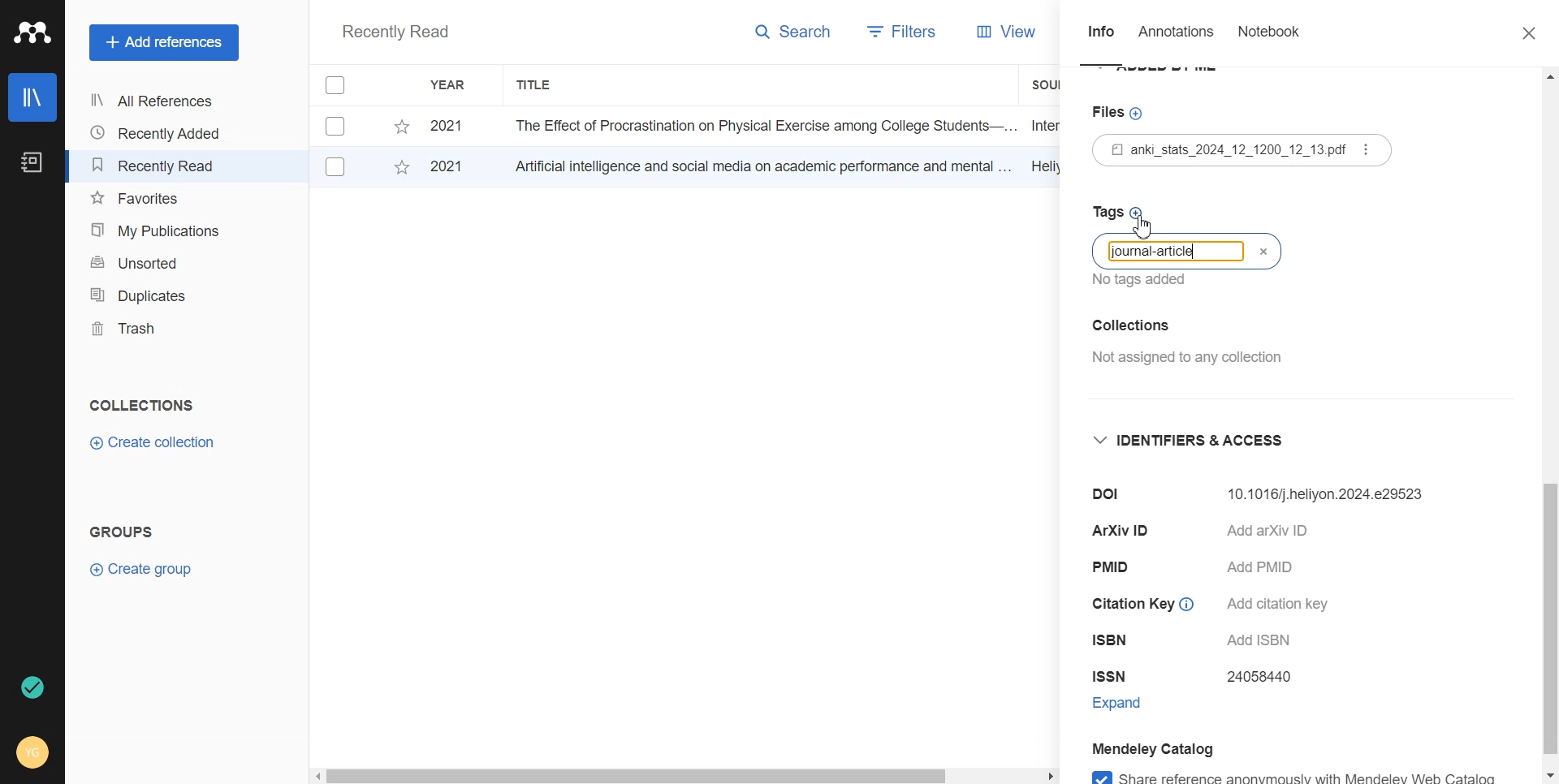 This screenshot has width=1559, height=784. I want to click on Info, so click(1101, 37).